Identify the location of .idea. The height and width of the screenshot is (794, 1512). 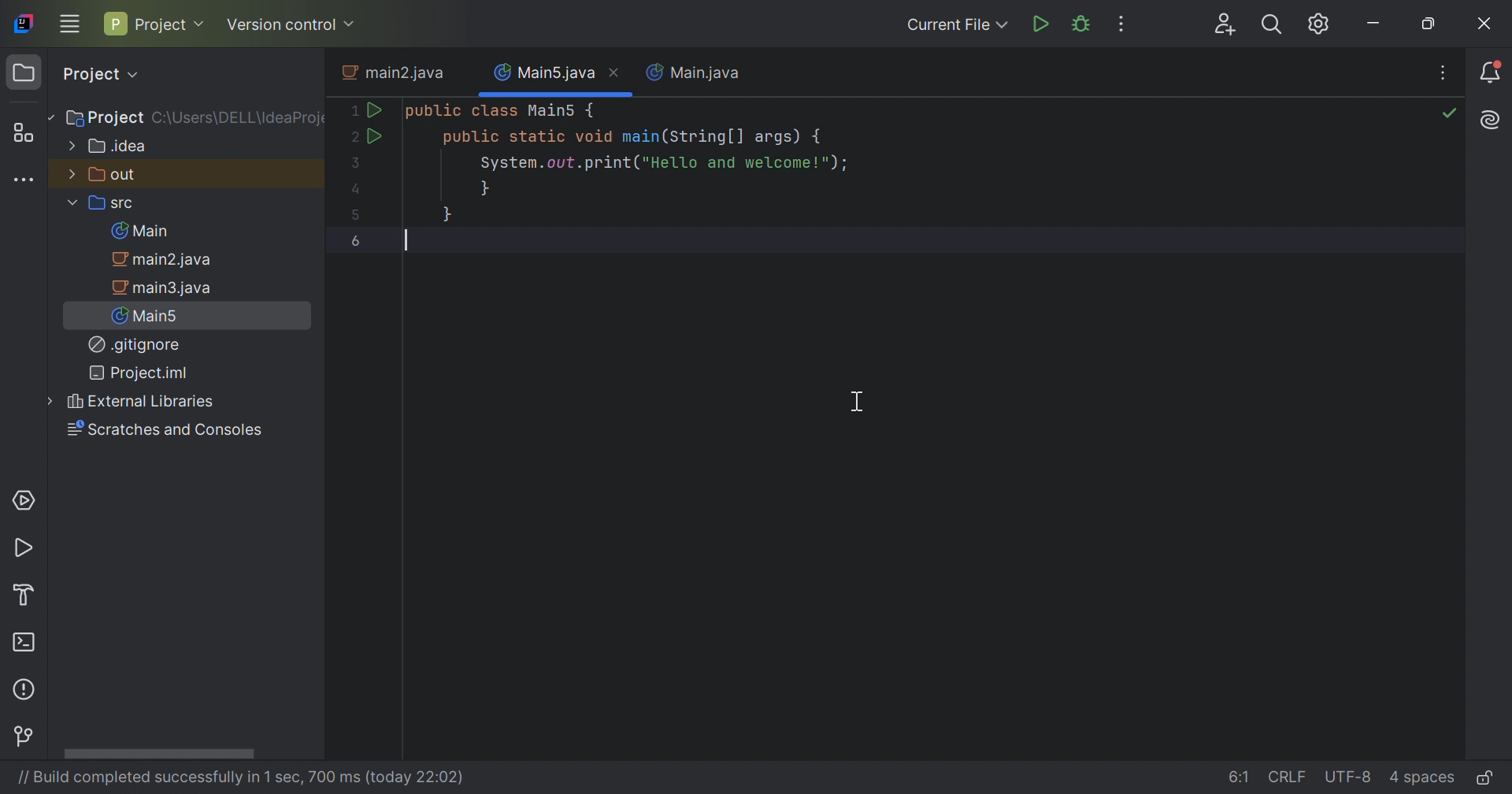
(109, 147).